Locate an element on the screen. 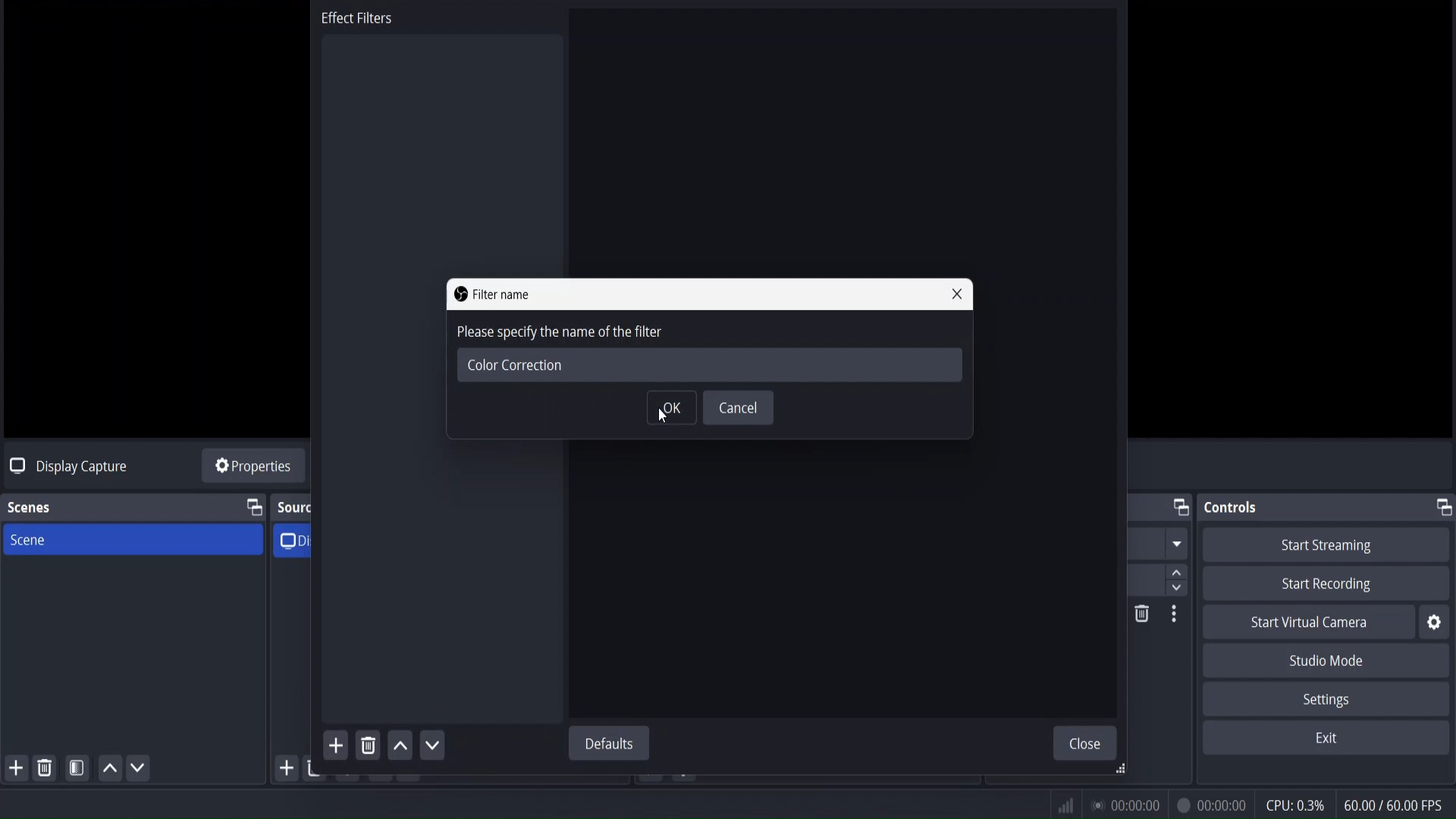 The height and width of the screenshot is (819, 1456). start virtual camera is located at coordinates (1310, 623).